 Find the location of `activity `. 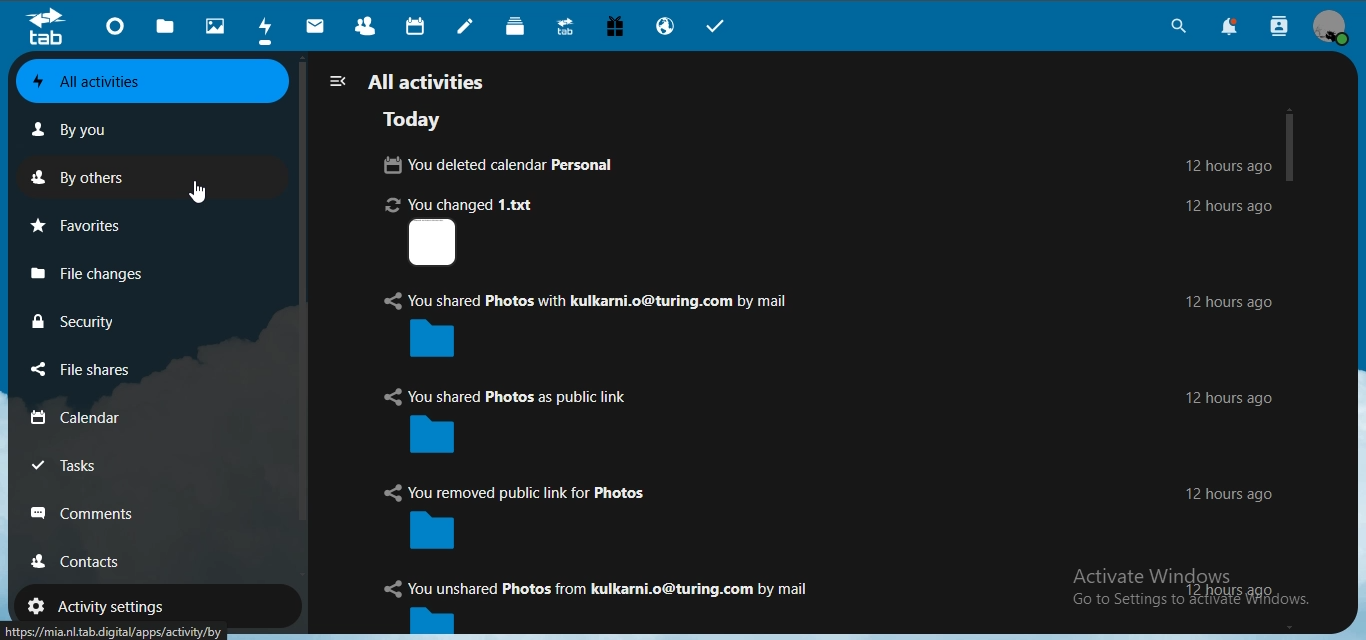

activity  is located at coordinates (265, 28).